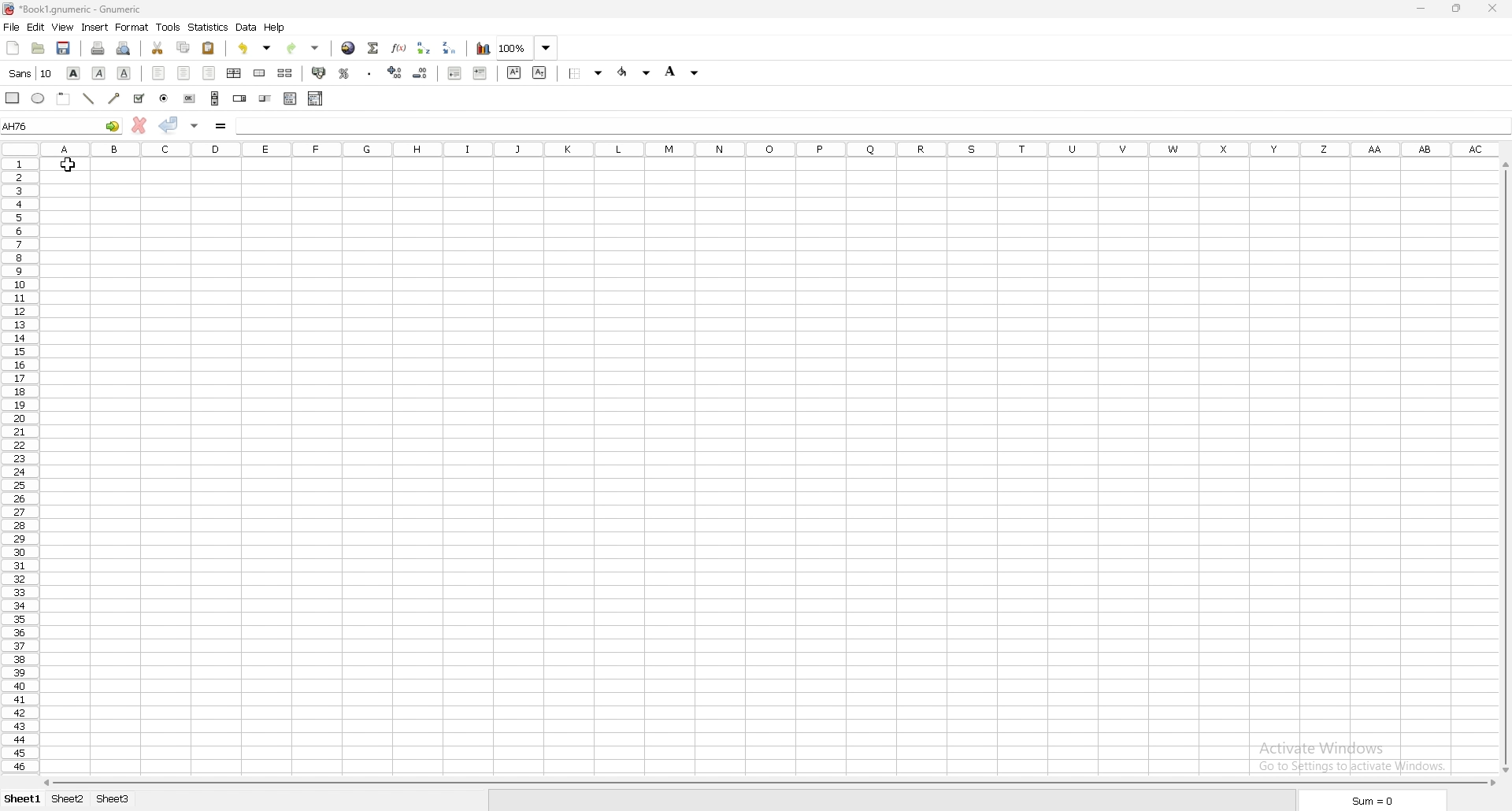  I want to click on slider, so click(266, 98).